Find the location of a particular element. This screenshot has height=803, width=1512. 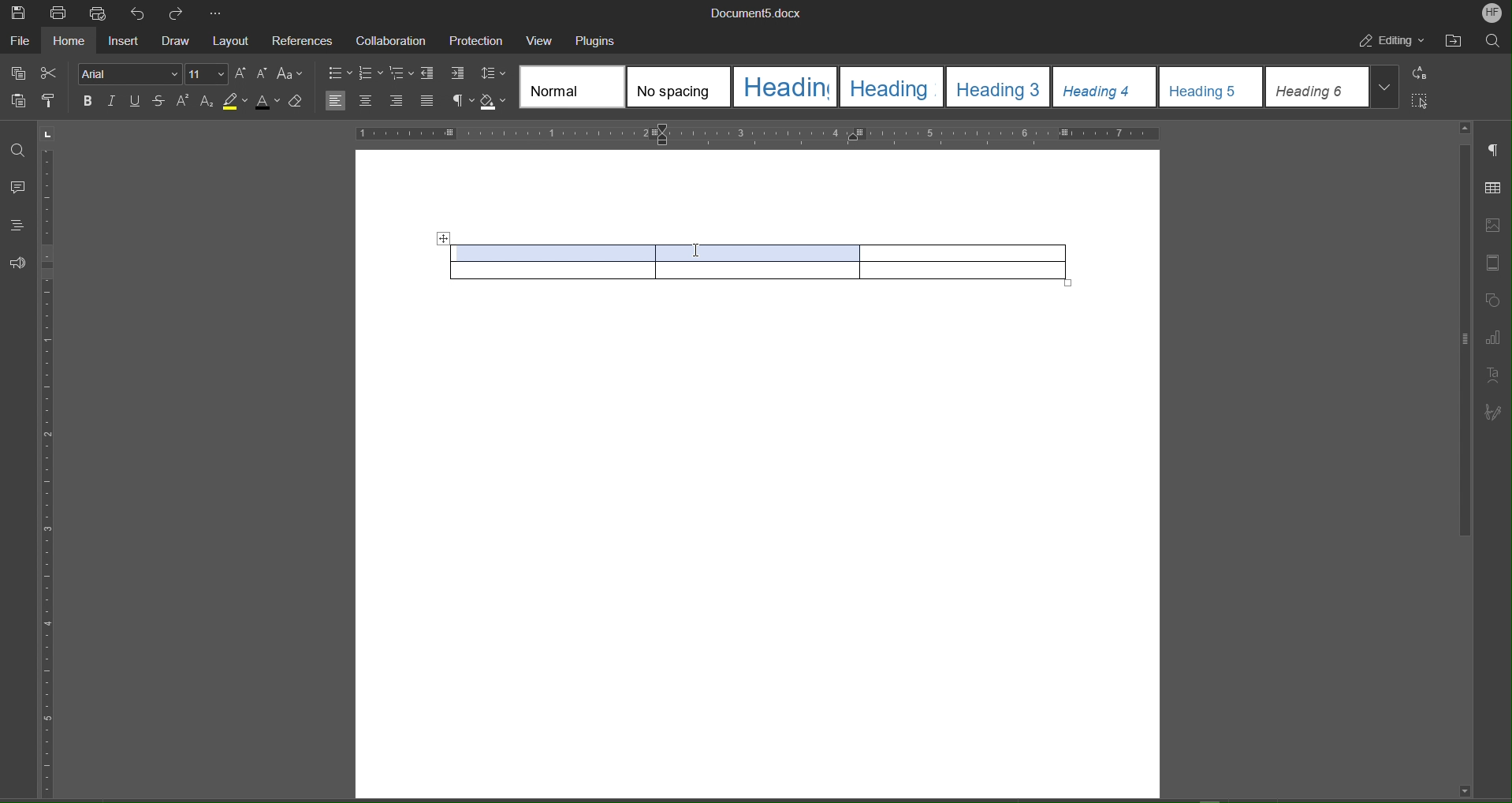

Protection is located at coordinates (477, 41).